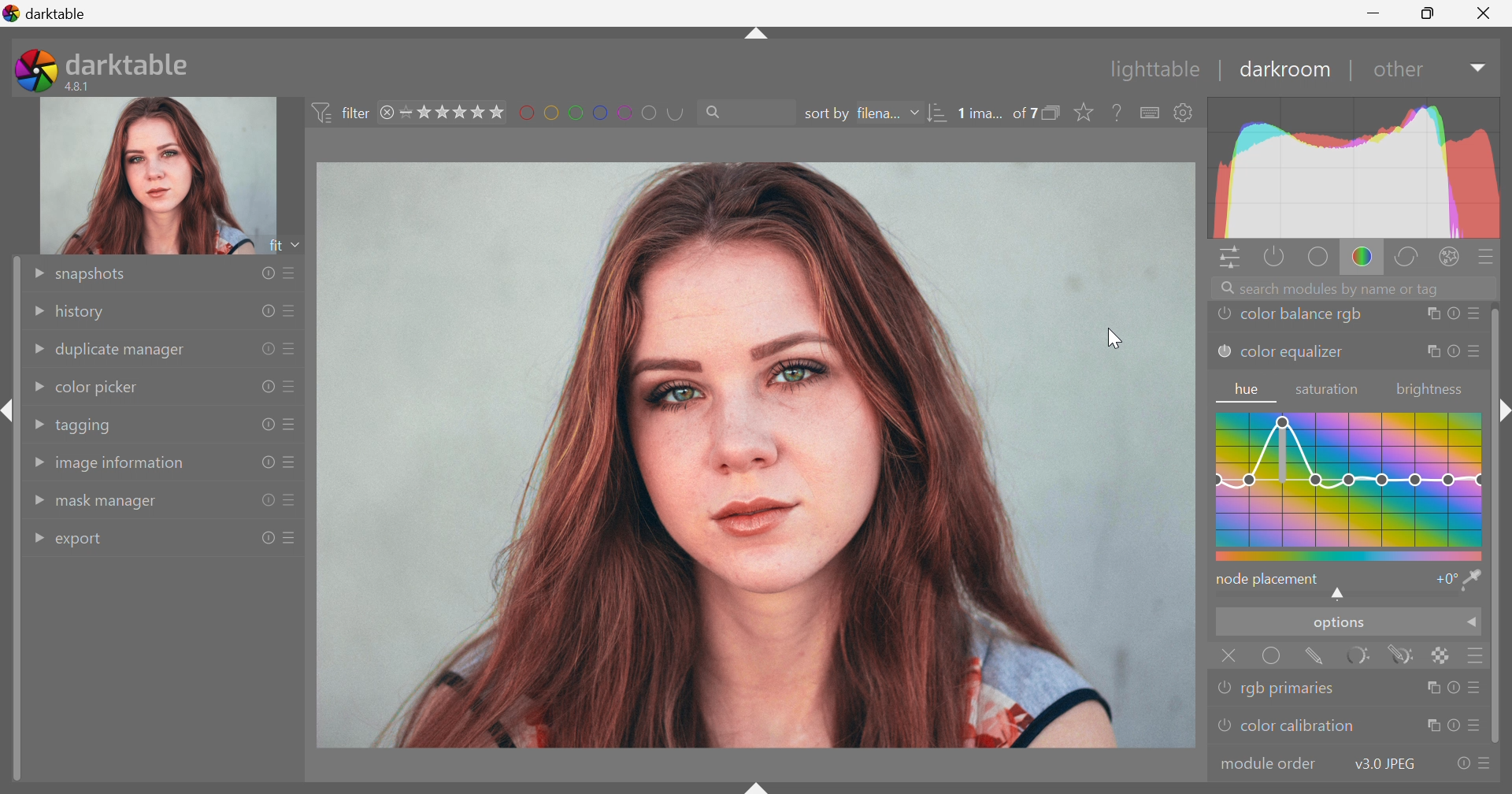 The height and width of the screenshot is (794, 1512). I want to click on presets, so click(1486, 765).